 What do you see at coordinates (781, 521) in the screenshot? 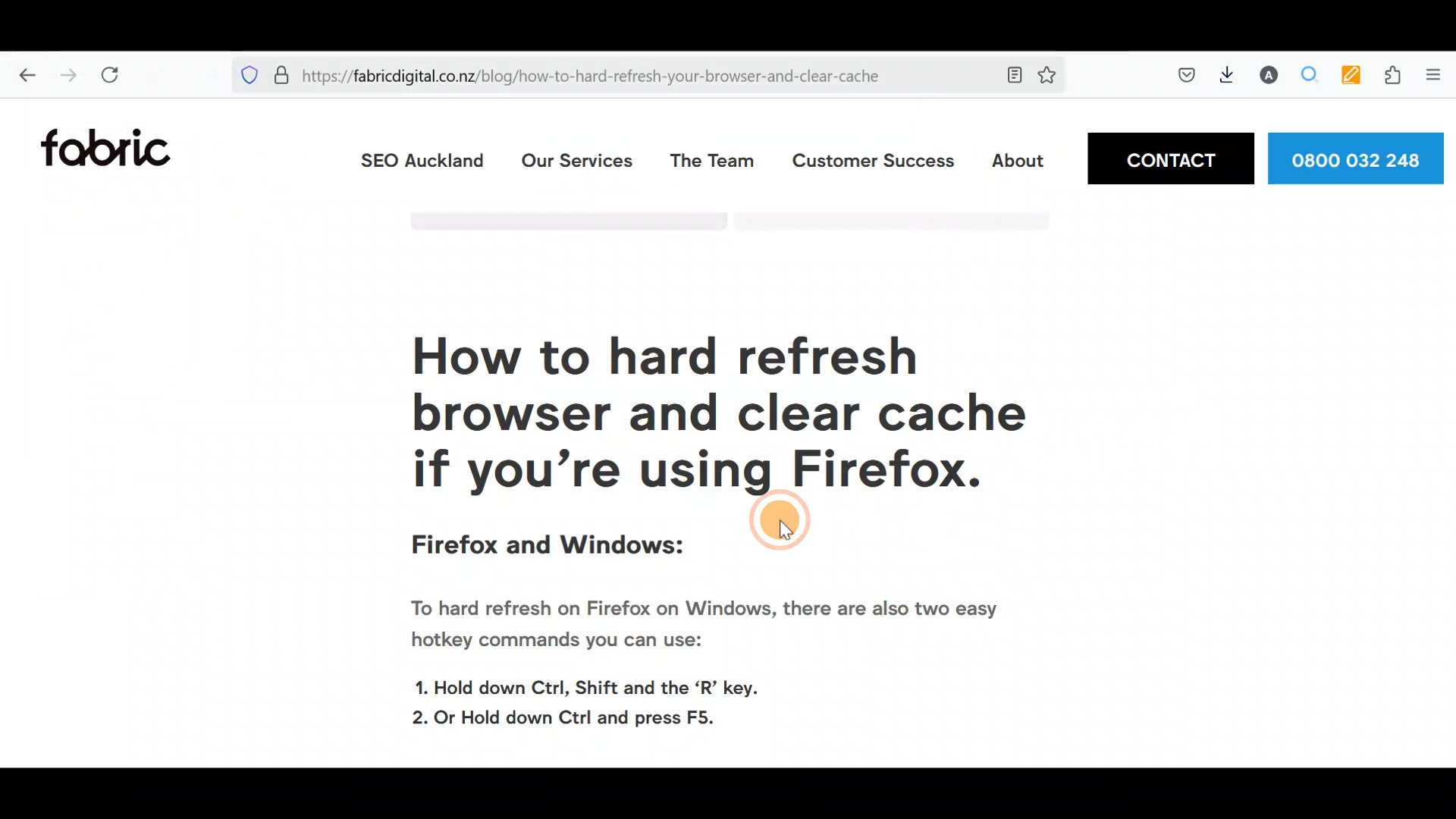
I see `cursor` at bounding box center [781, 521].